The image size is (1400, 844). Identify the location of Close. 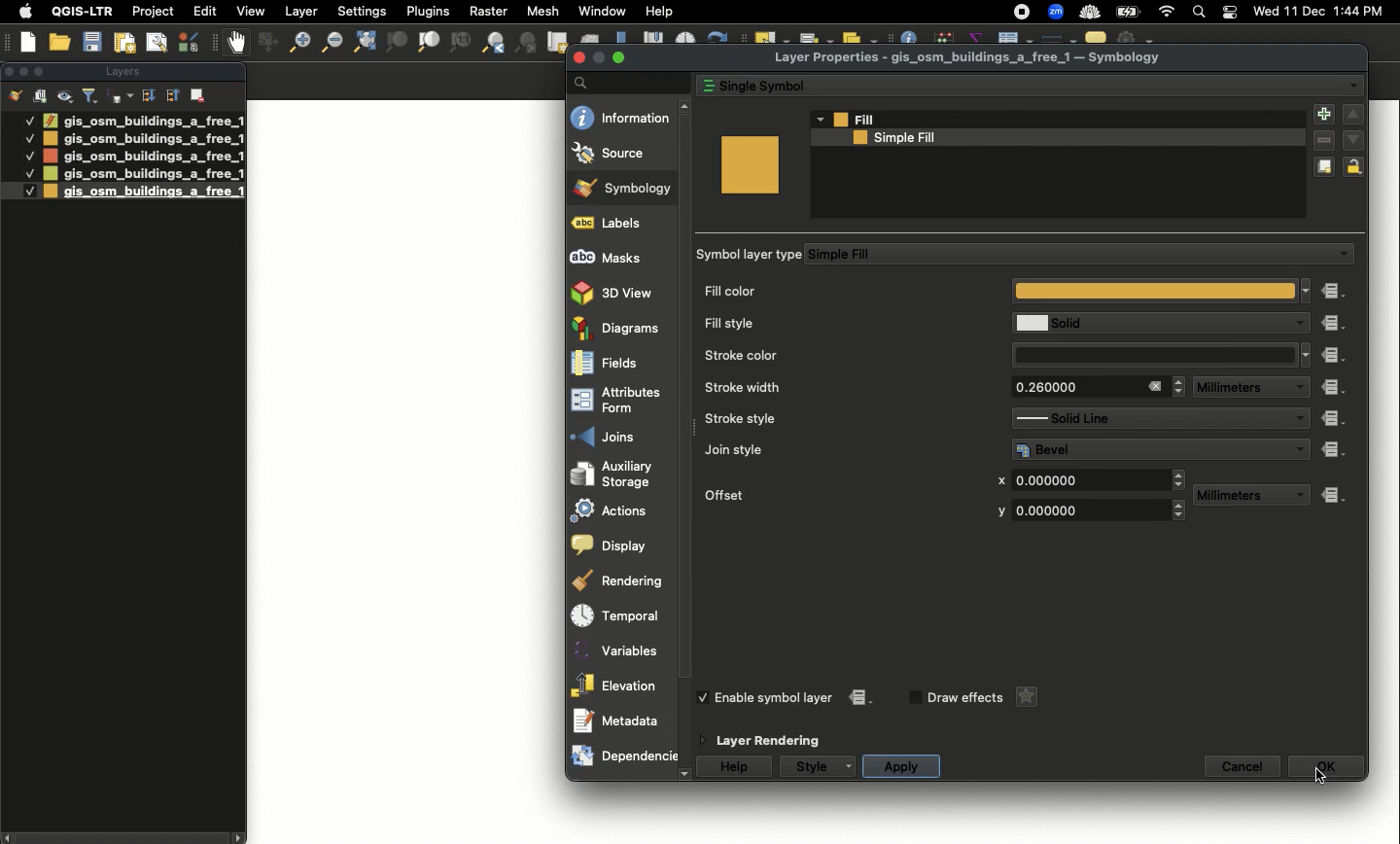
(1154, 386).